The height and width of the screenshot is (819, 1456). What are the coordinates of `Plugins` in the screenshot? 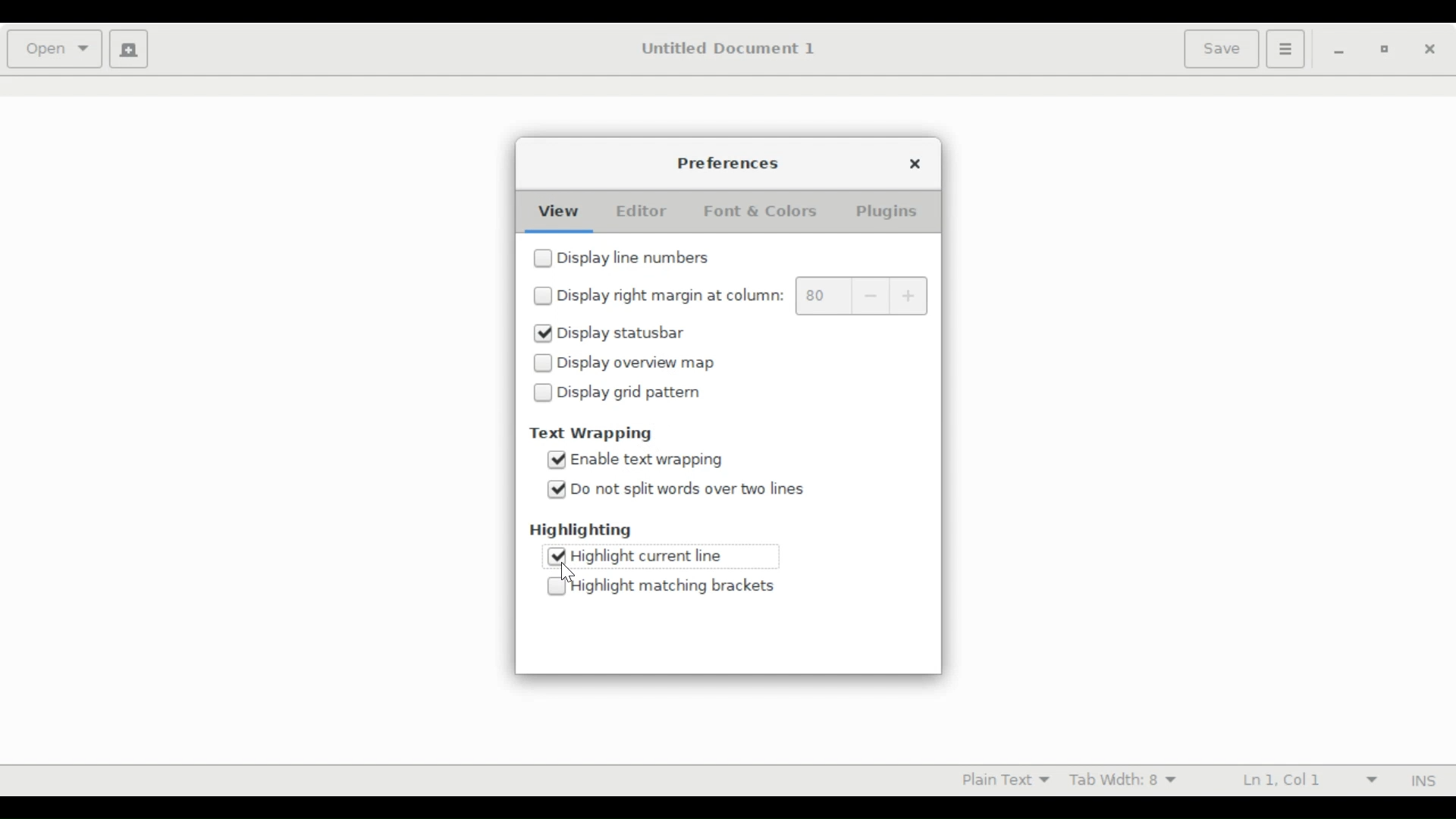 It's located at (890, 213).